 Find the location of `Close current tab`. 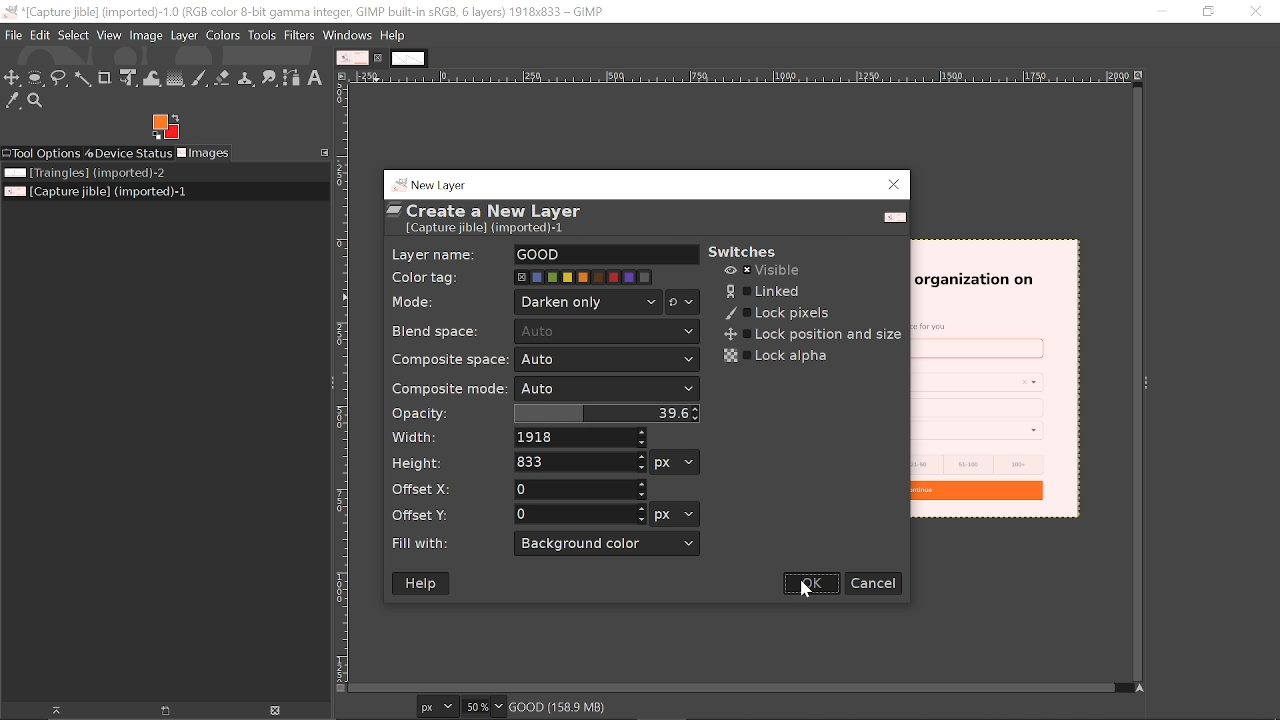

Close current tab is located at coordinates (381, 59).